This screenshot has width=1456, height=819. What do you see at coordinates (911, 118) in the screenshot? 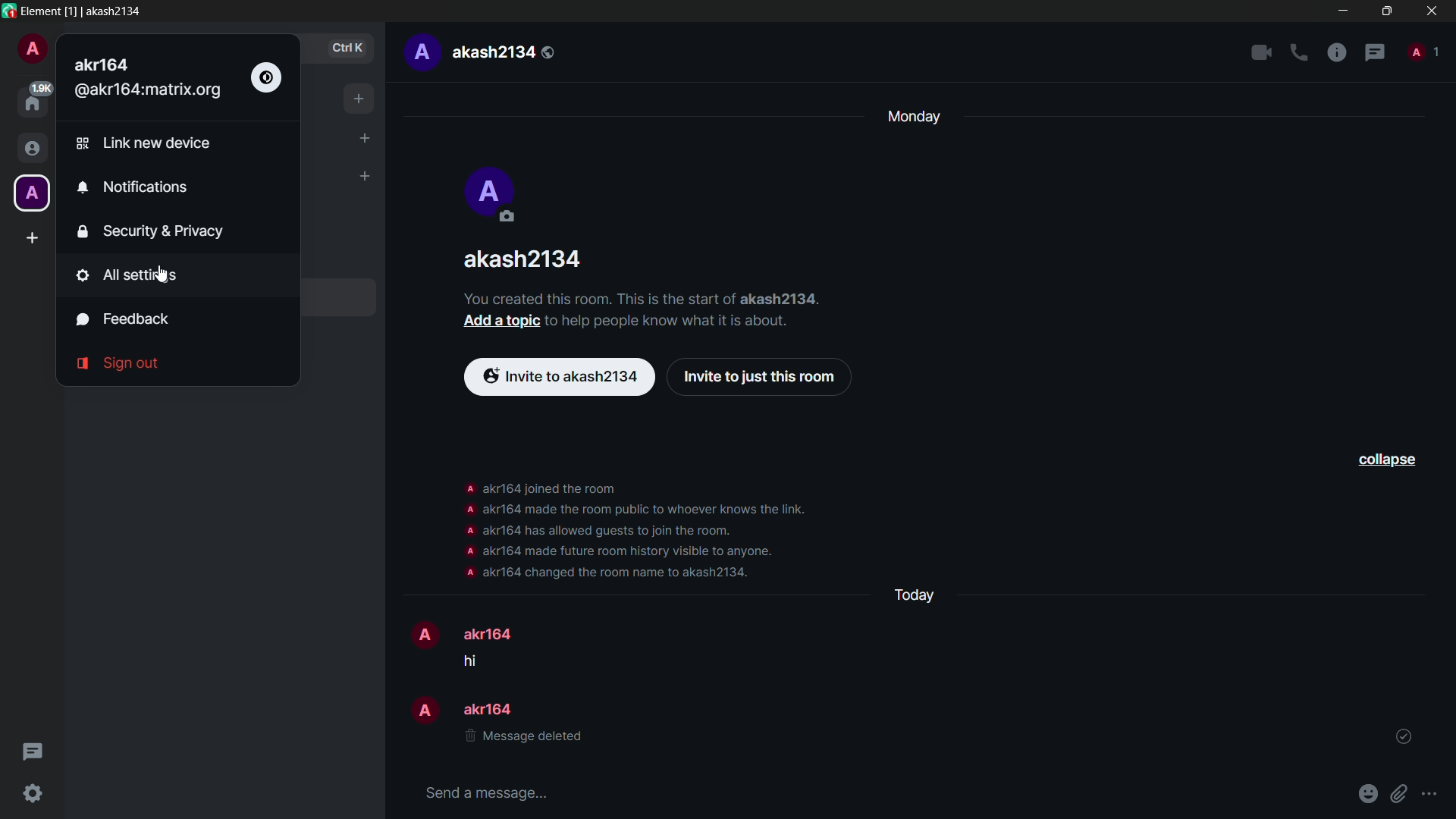
I see `day` at bounding box center [911, 118].